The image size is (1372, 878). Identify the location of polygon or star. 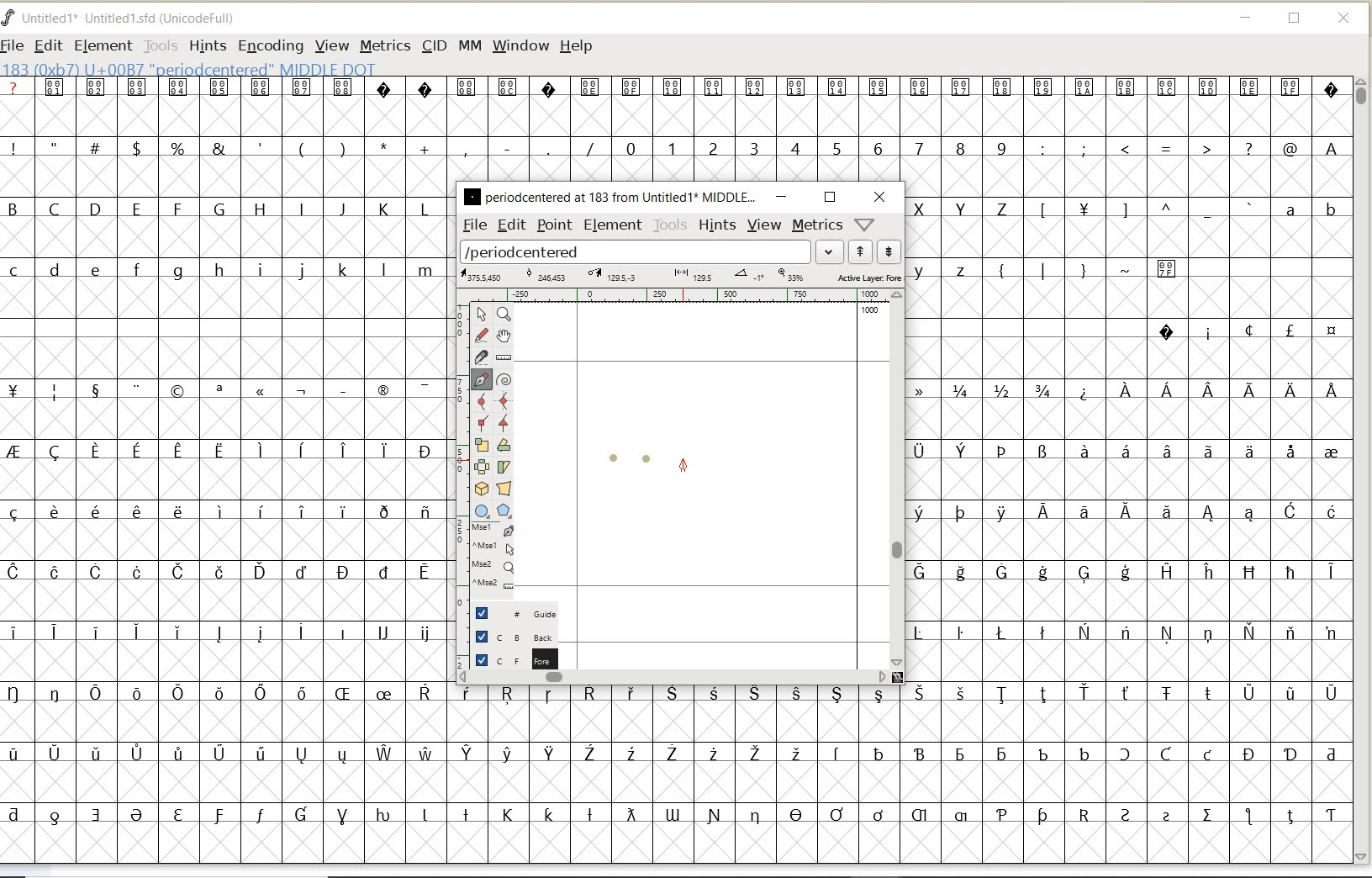
(506, 511).